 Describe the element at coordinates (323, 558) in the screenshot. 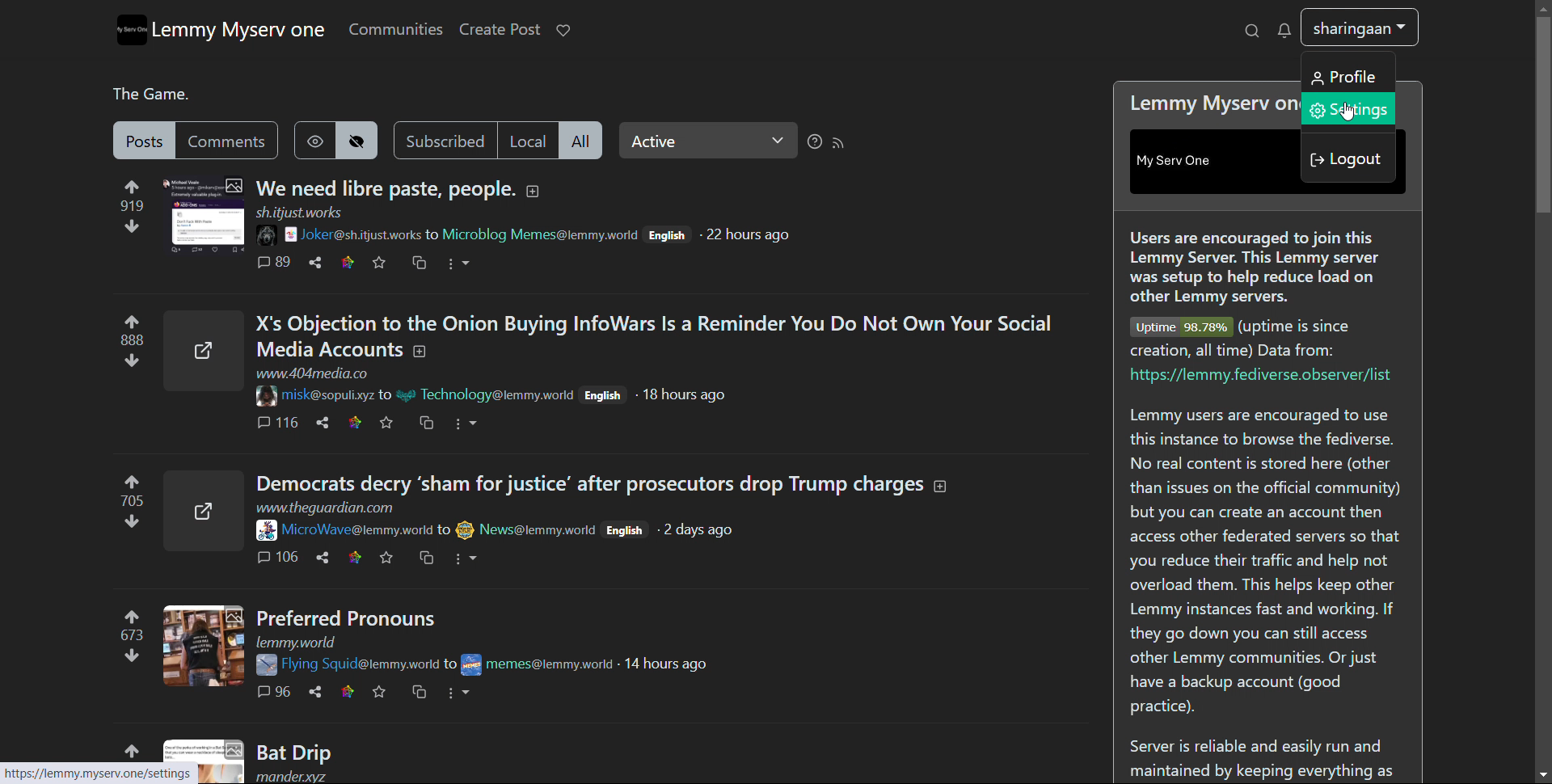

I see `share` at that location.